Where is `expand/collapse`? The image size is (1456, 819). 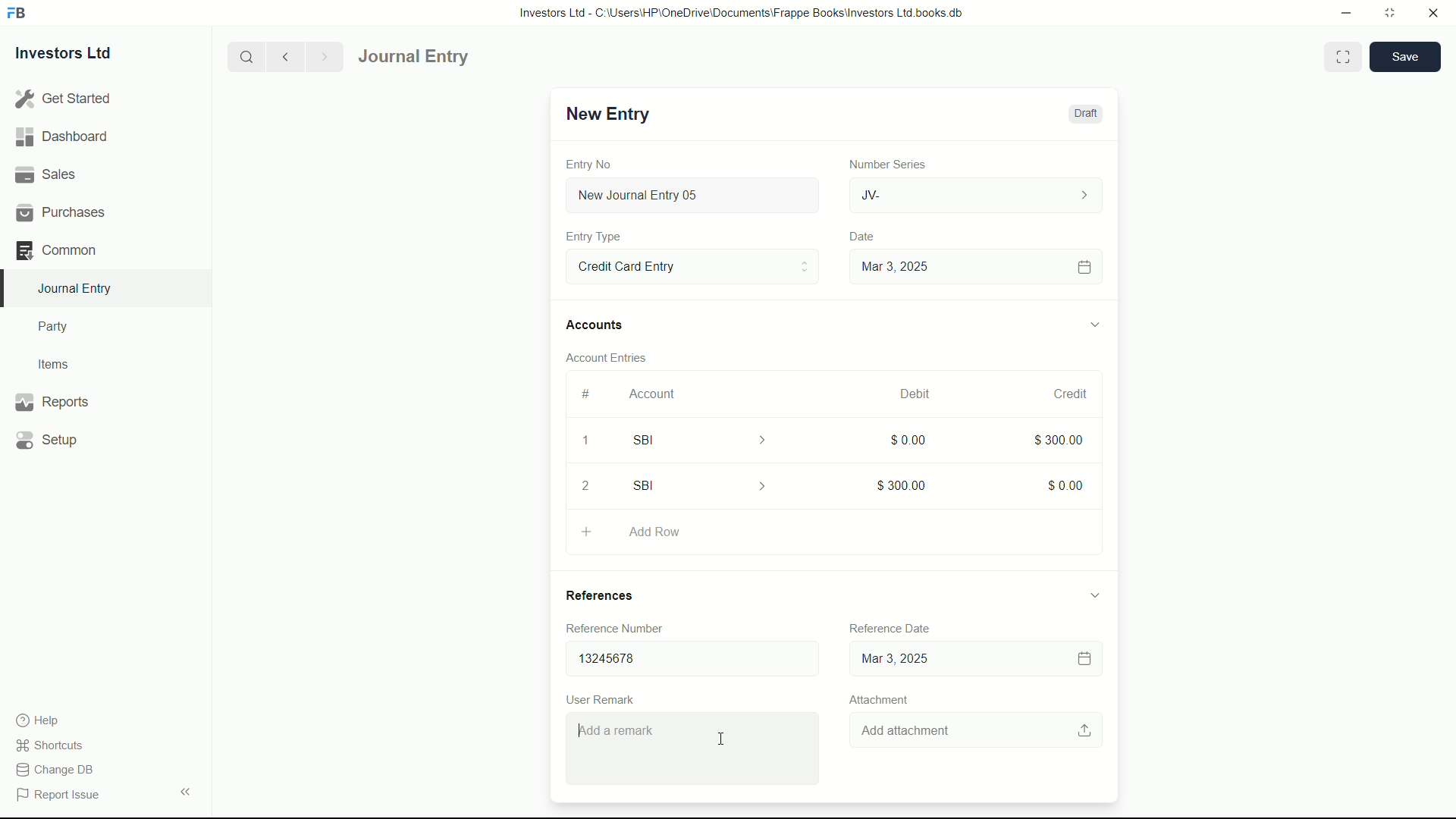
expand/collapse is located at coordinates (185, 790).